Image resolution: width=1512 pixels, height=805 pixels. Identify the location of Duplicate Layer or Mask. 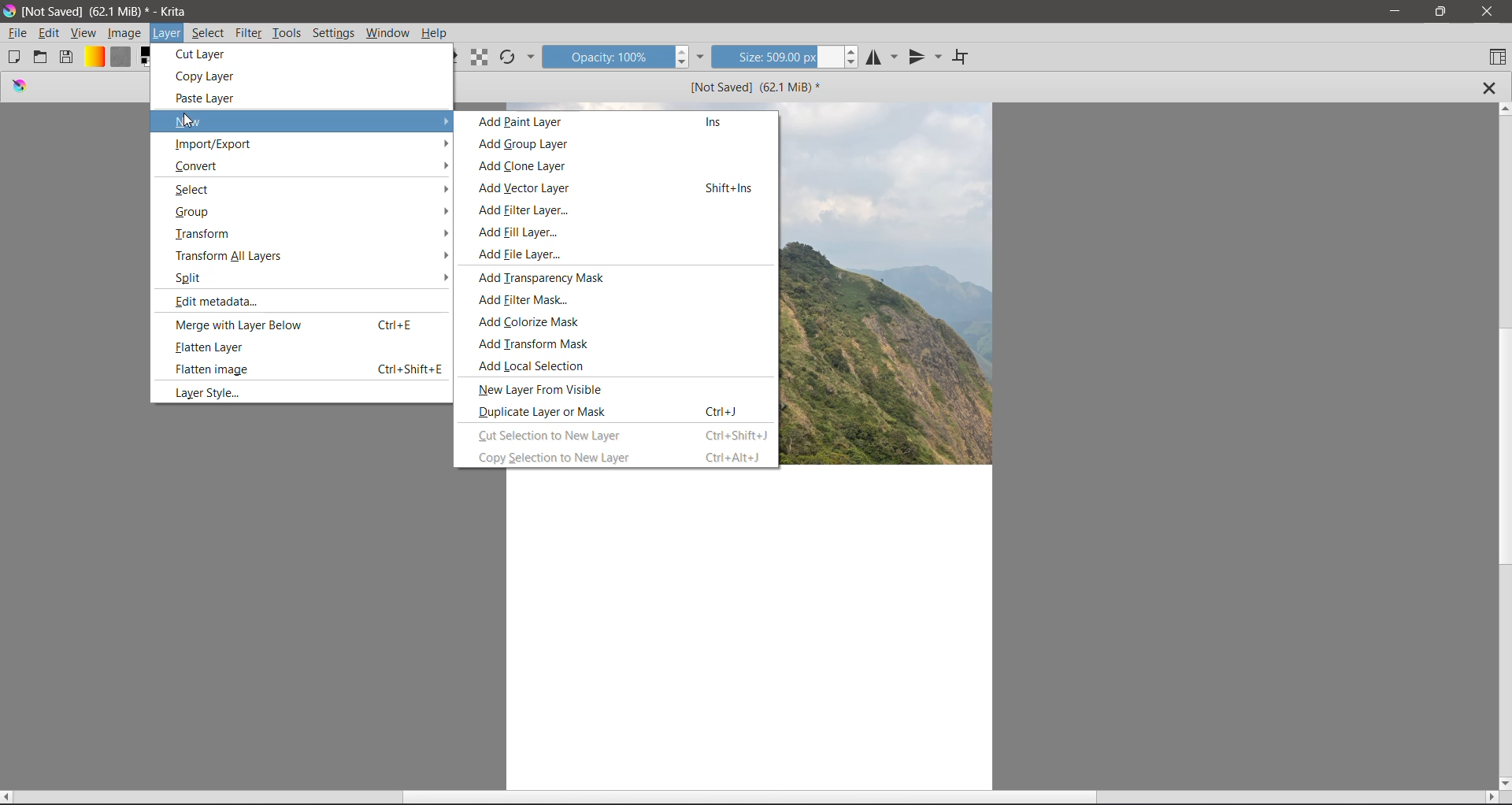
(612, 411).